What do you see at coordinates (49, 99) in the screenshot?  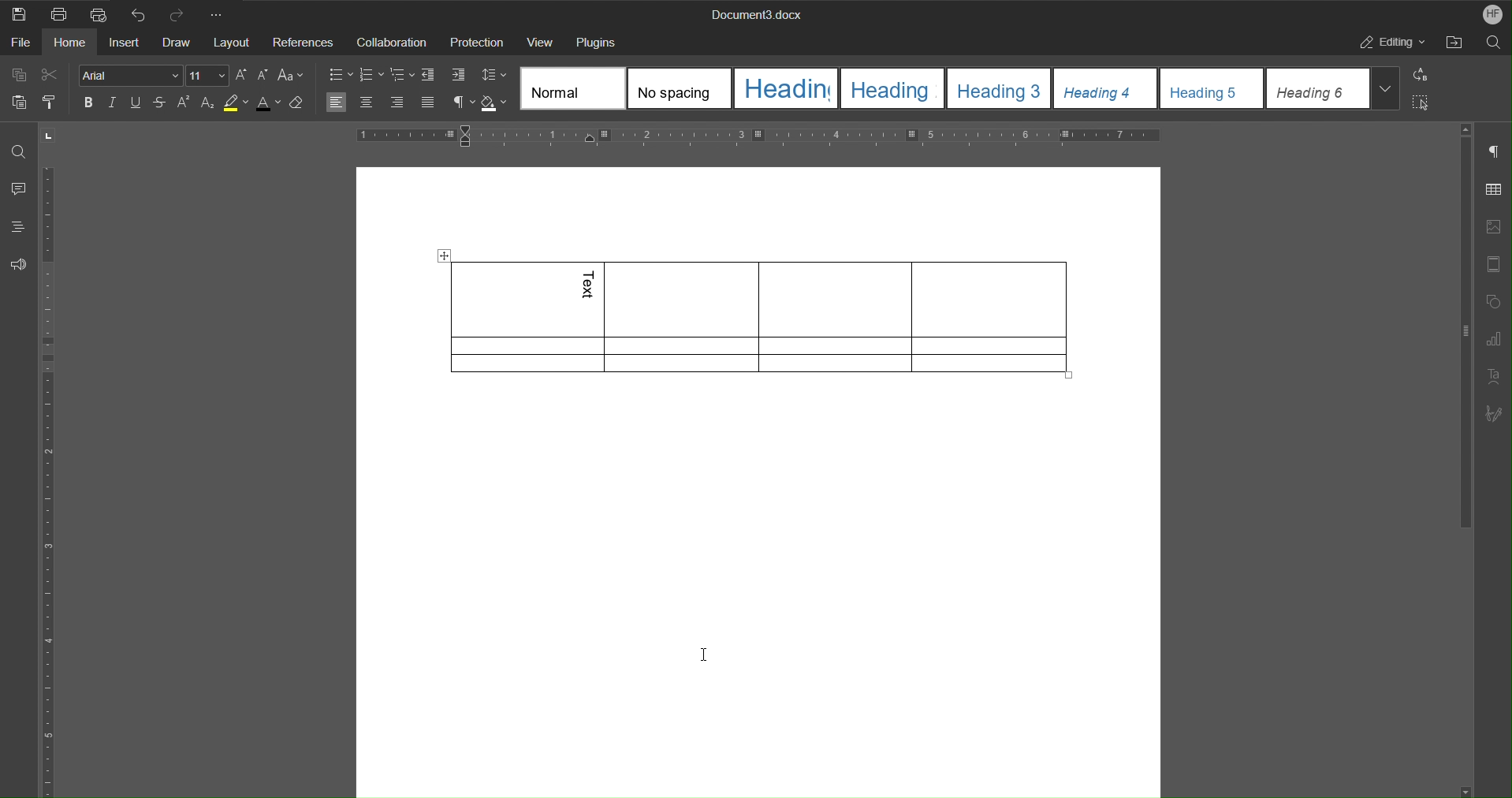 I see `Copy Style` at bounding box center [49, 99].